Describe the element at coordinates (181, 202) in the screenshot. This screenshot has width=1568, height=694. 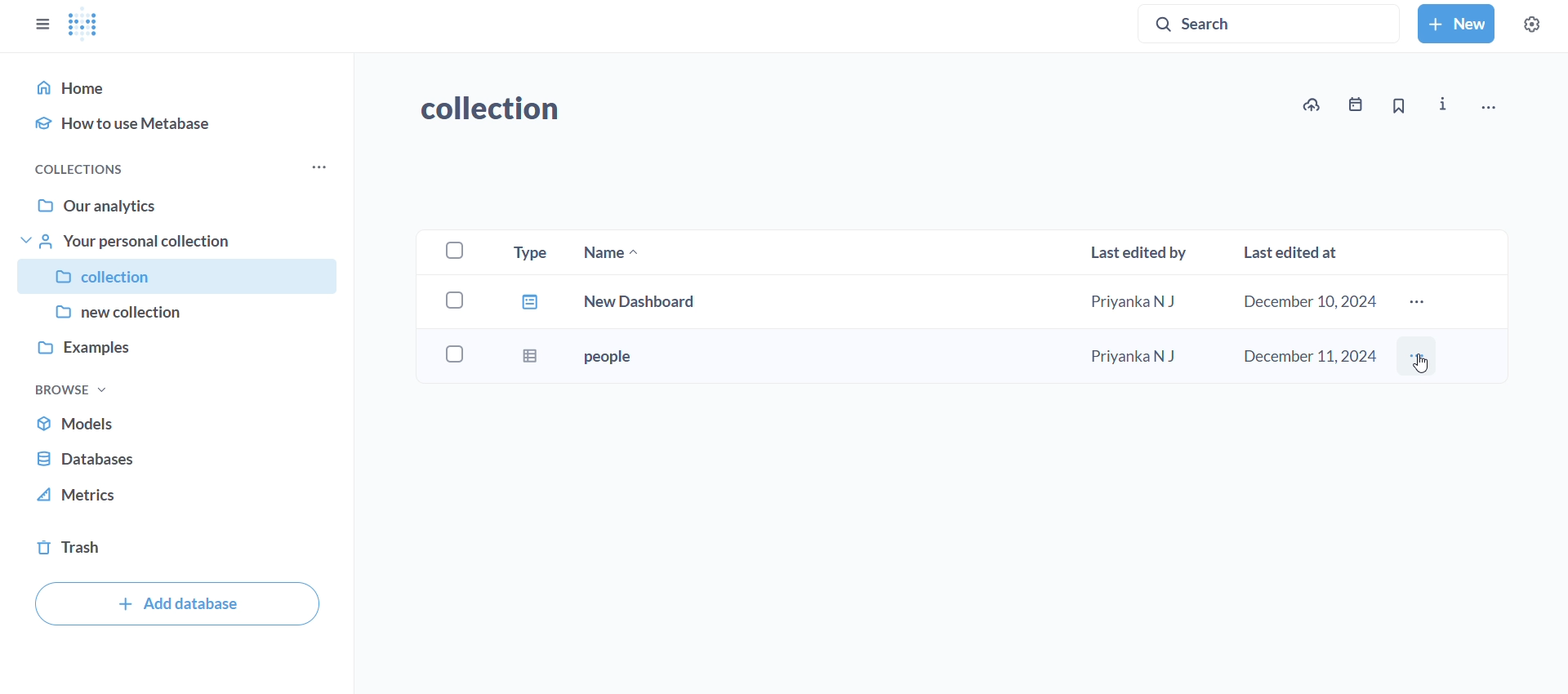
I see `our analytics` at that location.